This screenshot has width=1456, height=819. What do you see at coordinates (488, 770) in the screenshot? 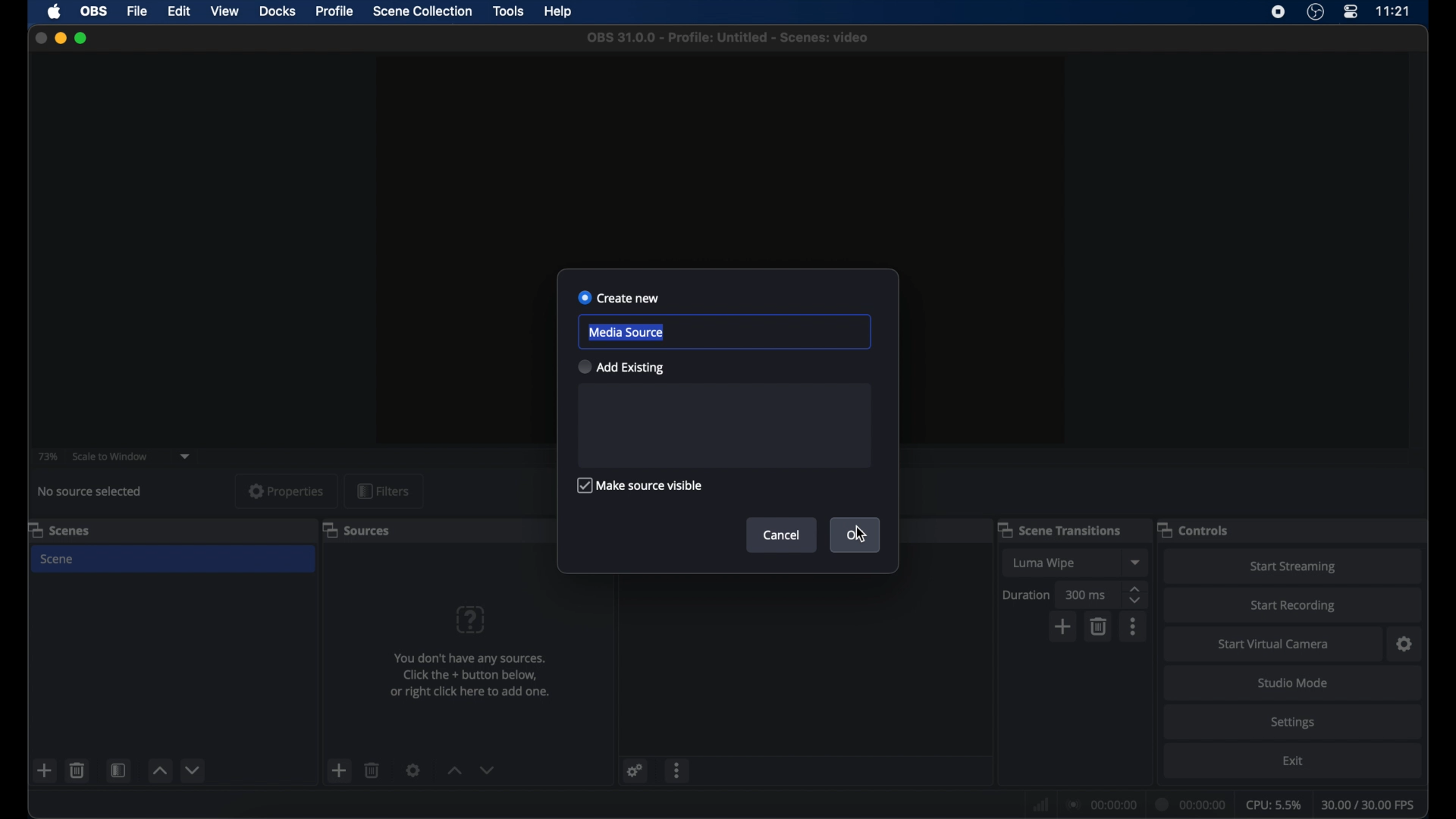
I see `dropdown` at bounding box center [488, 770].